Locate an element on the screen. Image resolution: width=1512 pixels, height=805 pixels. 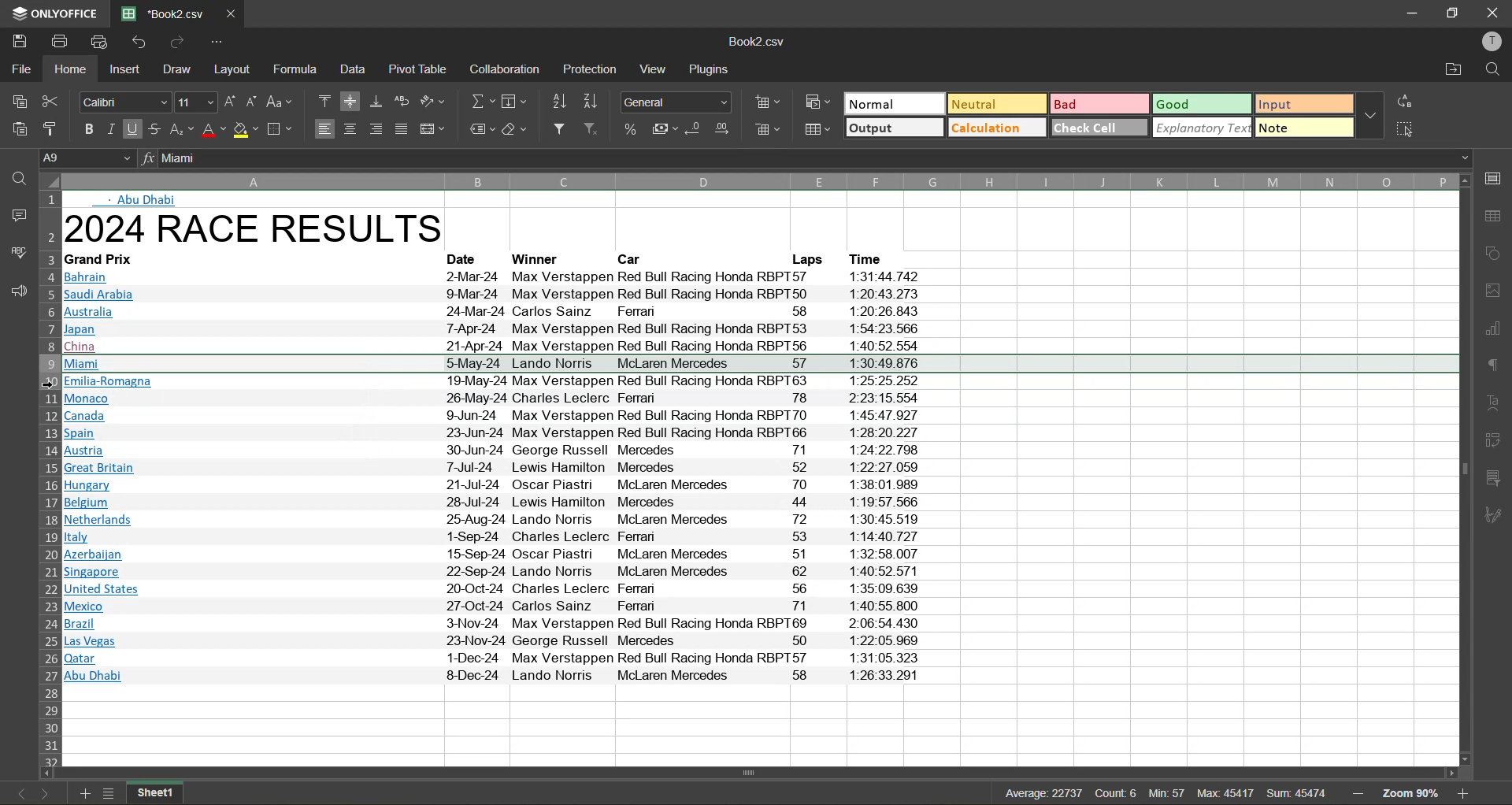
percent is located at coordinates (633, 131).